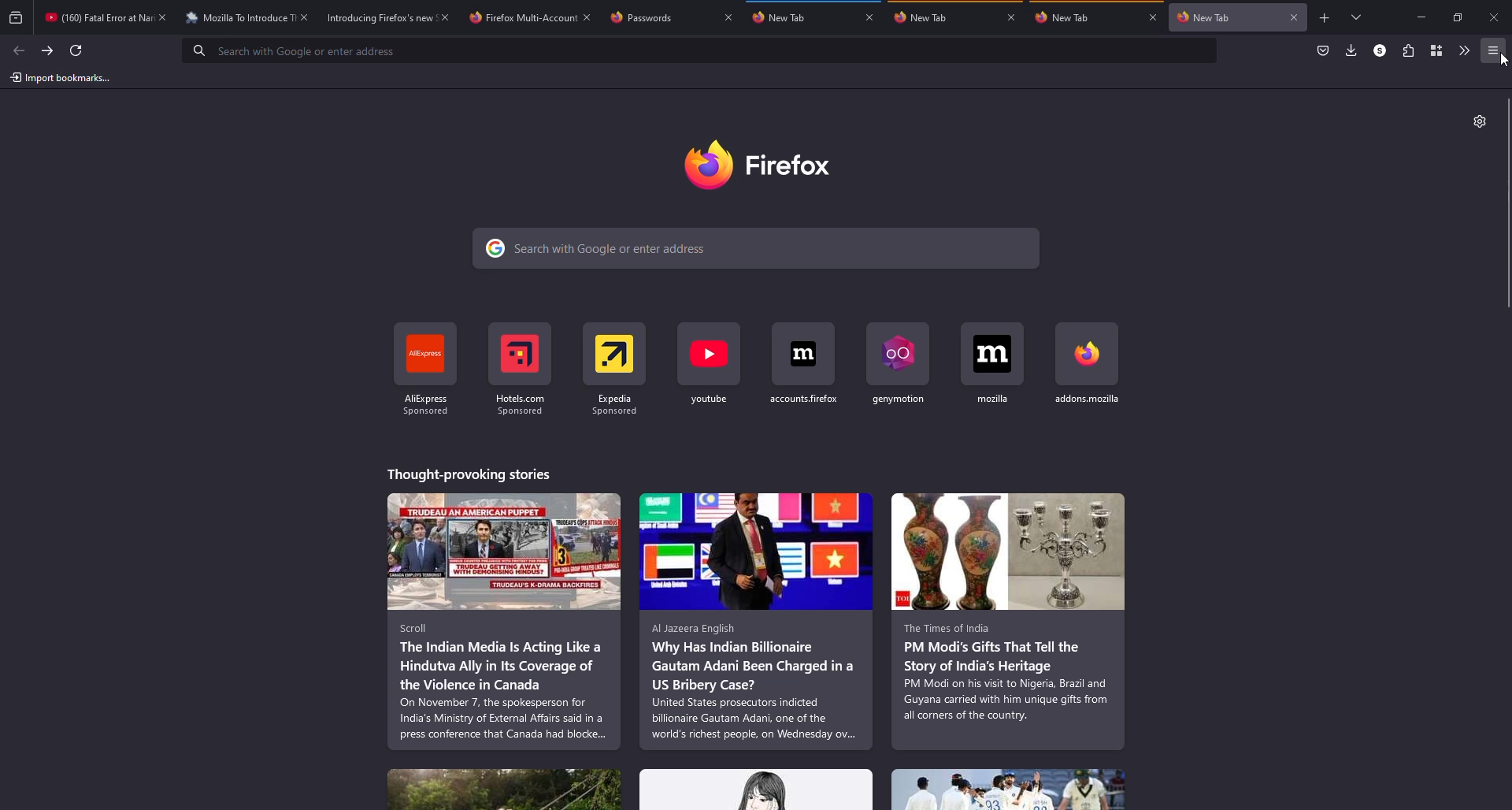 This screenshot has width=1512, height=810. Describe the element at coordinates (164, 17) in the screenshot. I see `close` at that location.